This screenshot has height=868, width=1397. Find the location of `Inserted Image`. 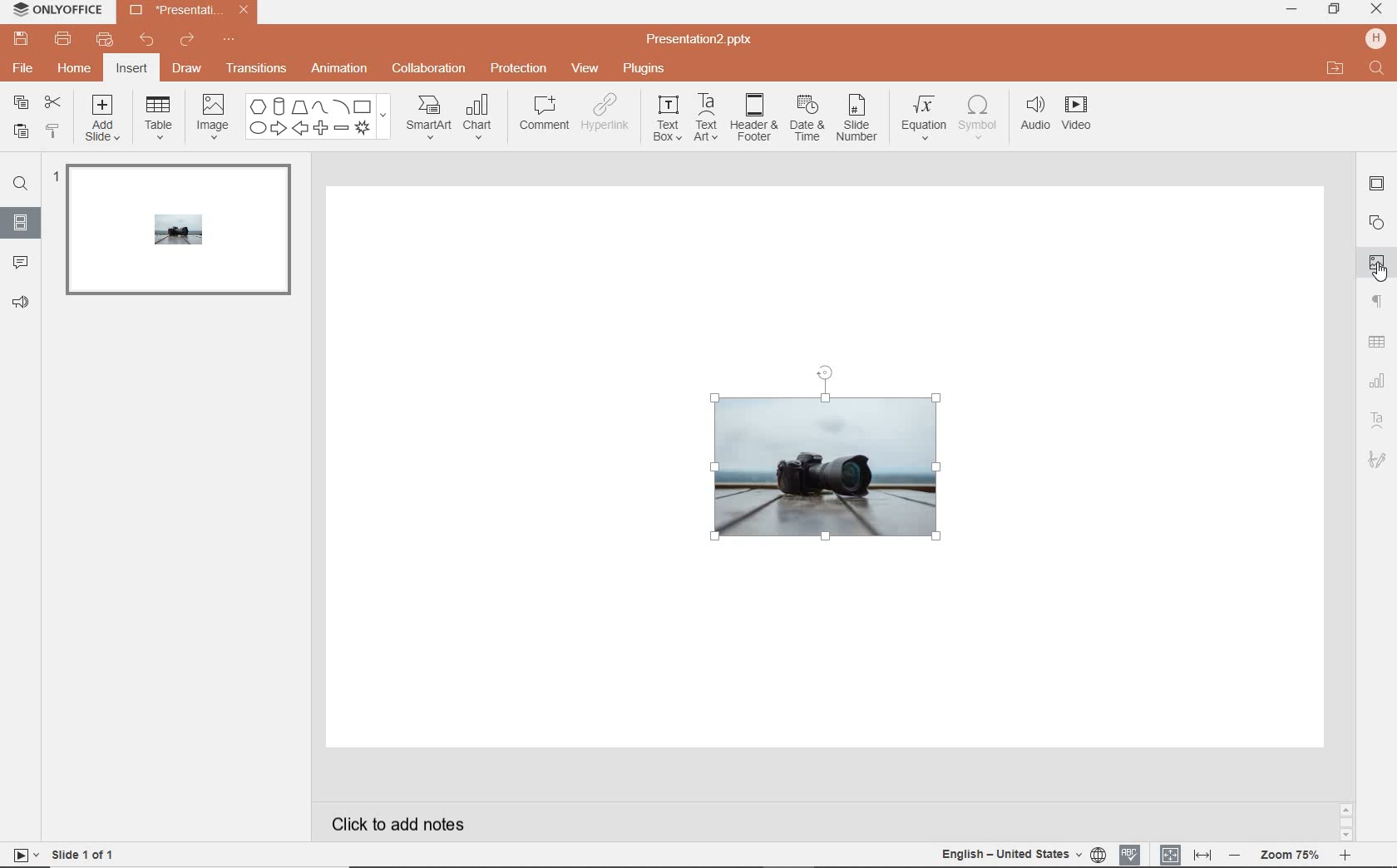

Inserted Image is located at coordinates (824, 456).